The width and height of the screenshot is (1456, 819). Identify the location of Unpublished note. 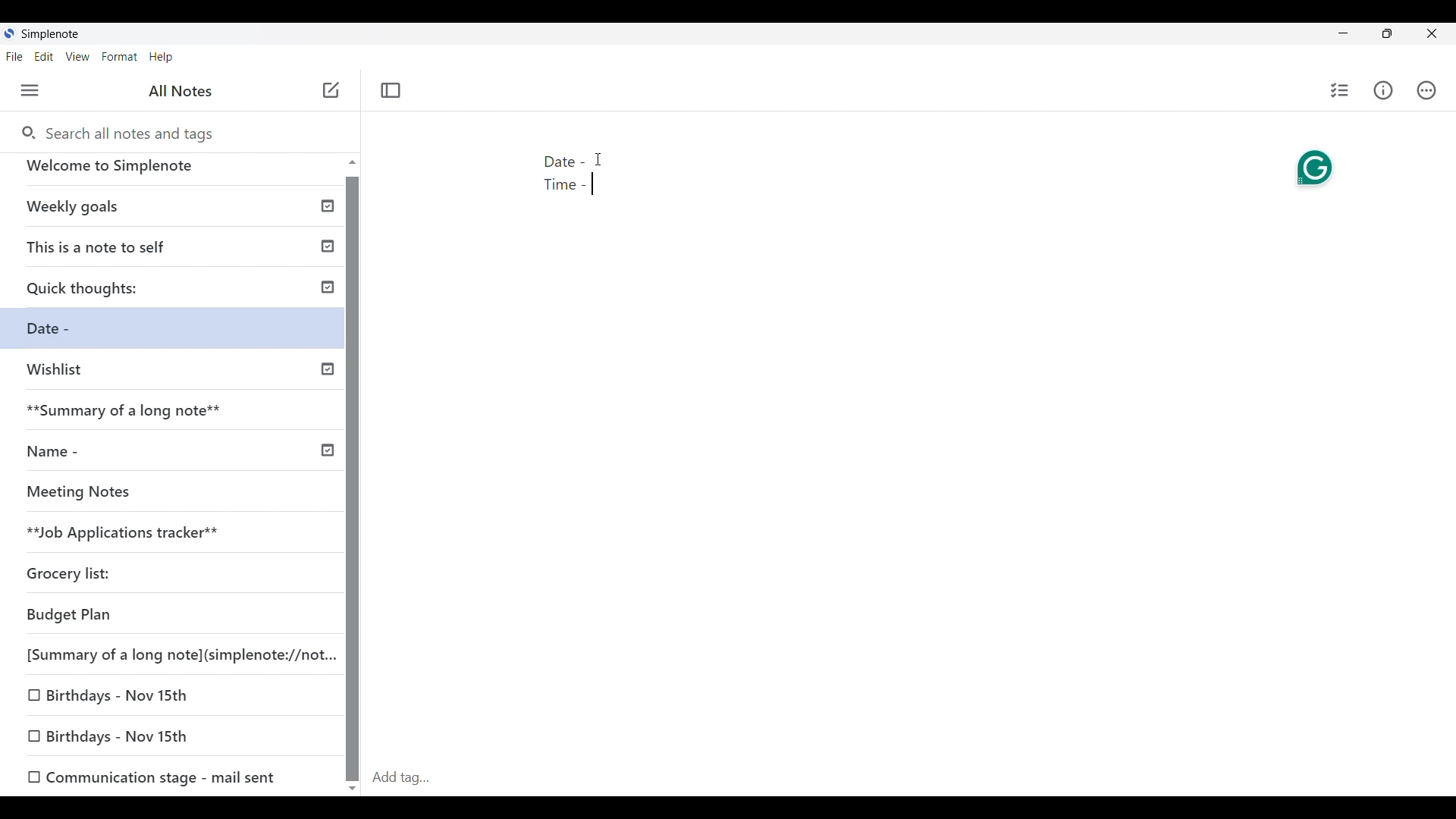
(66, 331).